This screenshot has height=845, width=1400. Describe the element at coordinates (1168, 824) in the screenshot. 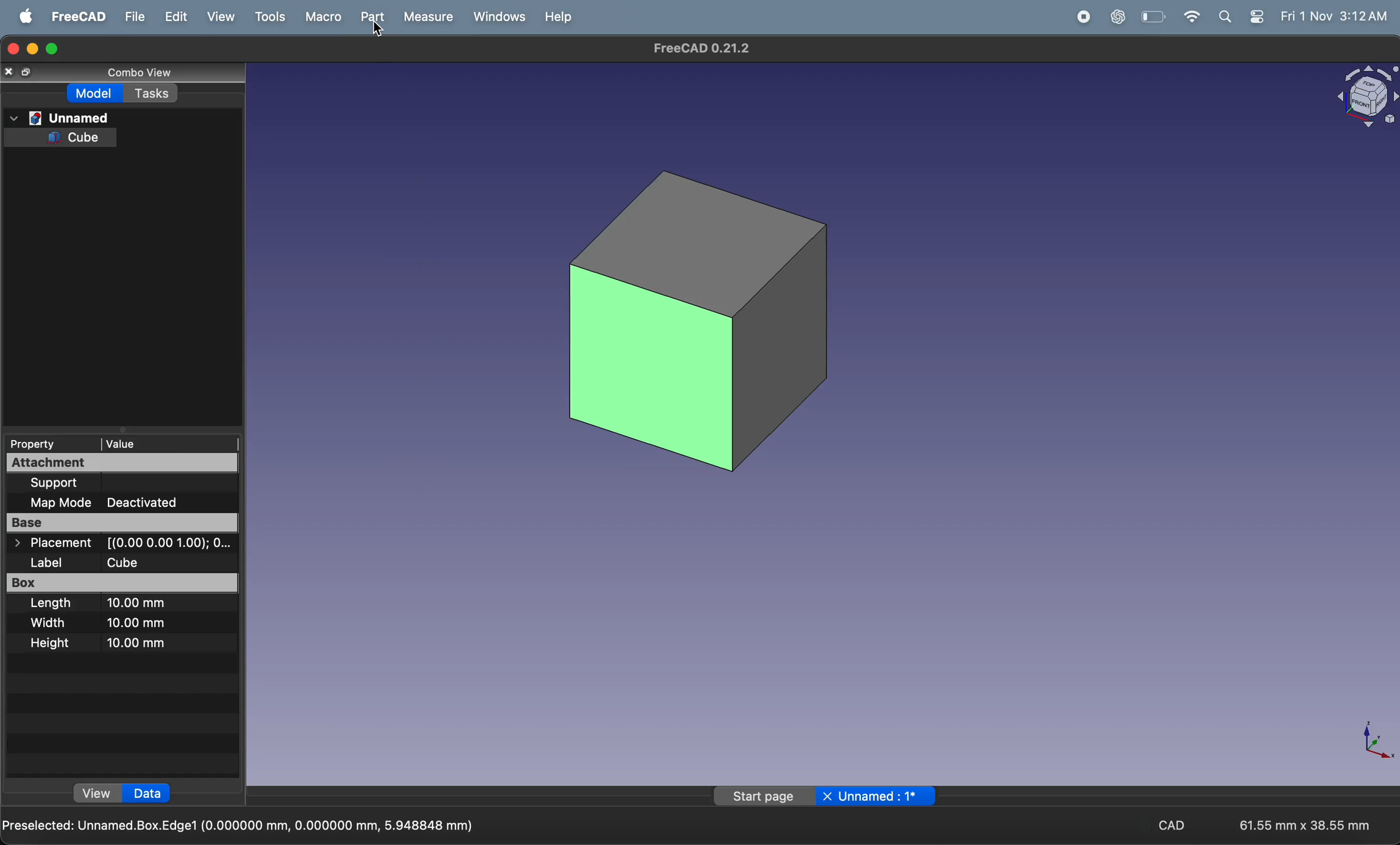

I see `cad` at that location.